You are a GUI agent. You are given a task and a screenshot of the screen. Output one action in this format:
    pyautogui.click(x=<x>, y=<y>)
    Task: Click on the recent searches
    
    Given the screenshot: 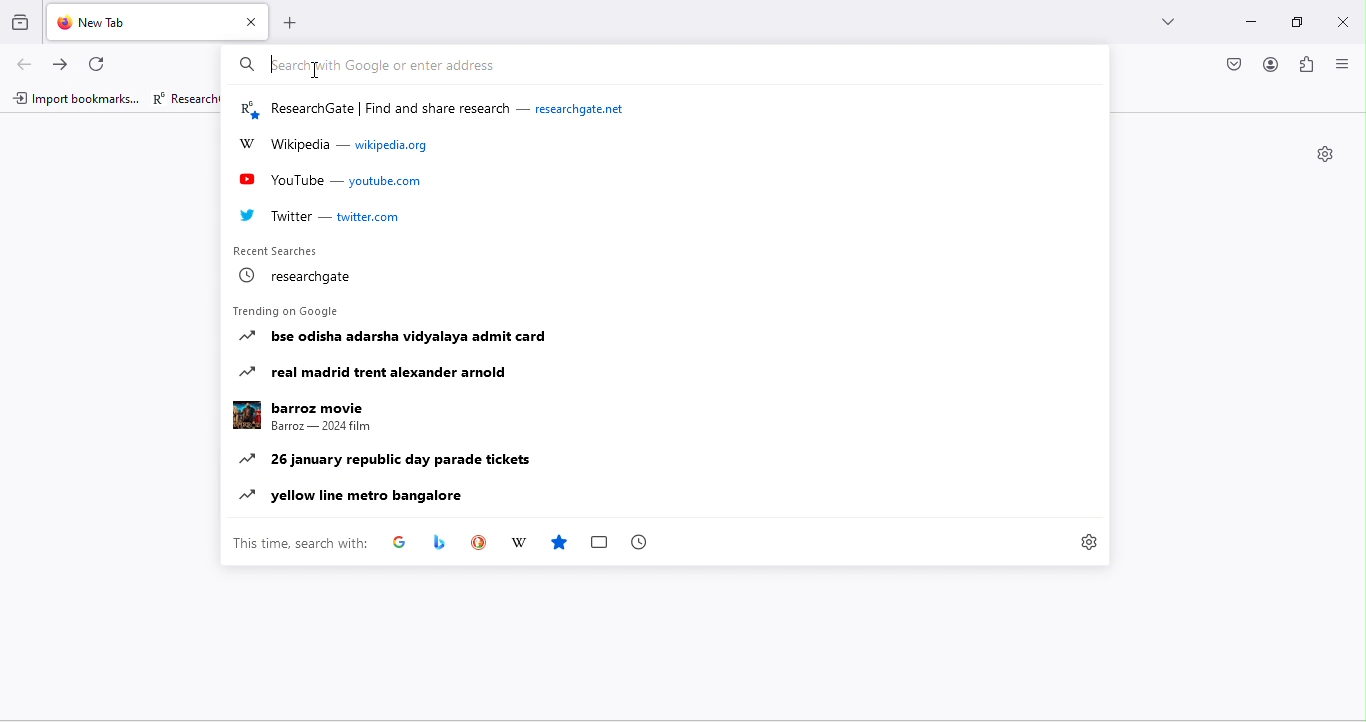 What is the action you would take?
    pyautogui.click(x=301, y=251)
    